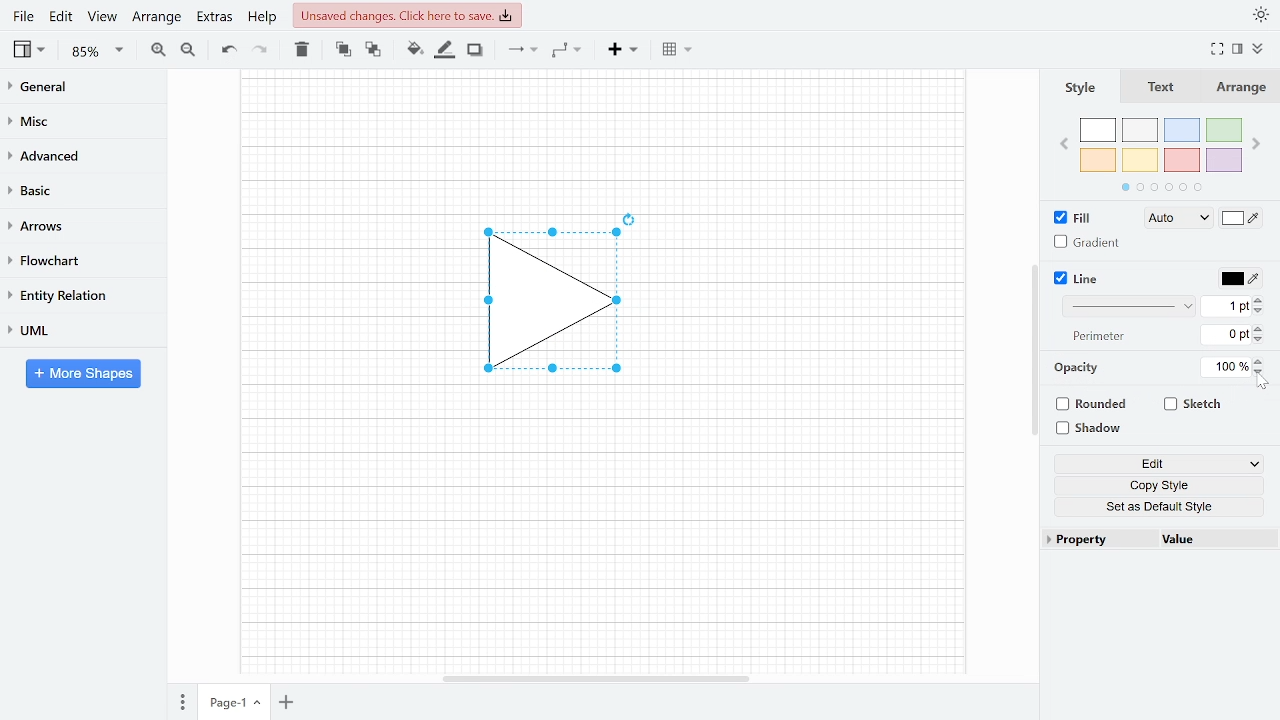 Image resolution: width=1280 pixels, height=720 pixels. What do you see at coordinates (349, 302) in the screenshot?
I see `workspace` at bounding box center [349, 302].